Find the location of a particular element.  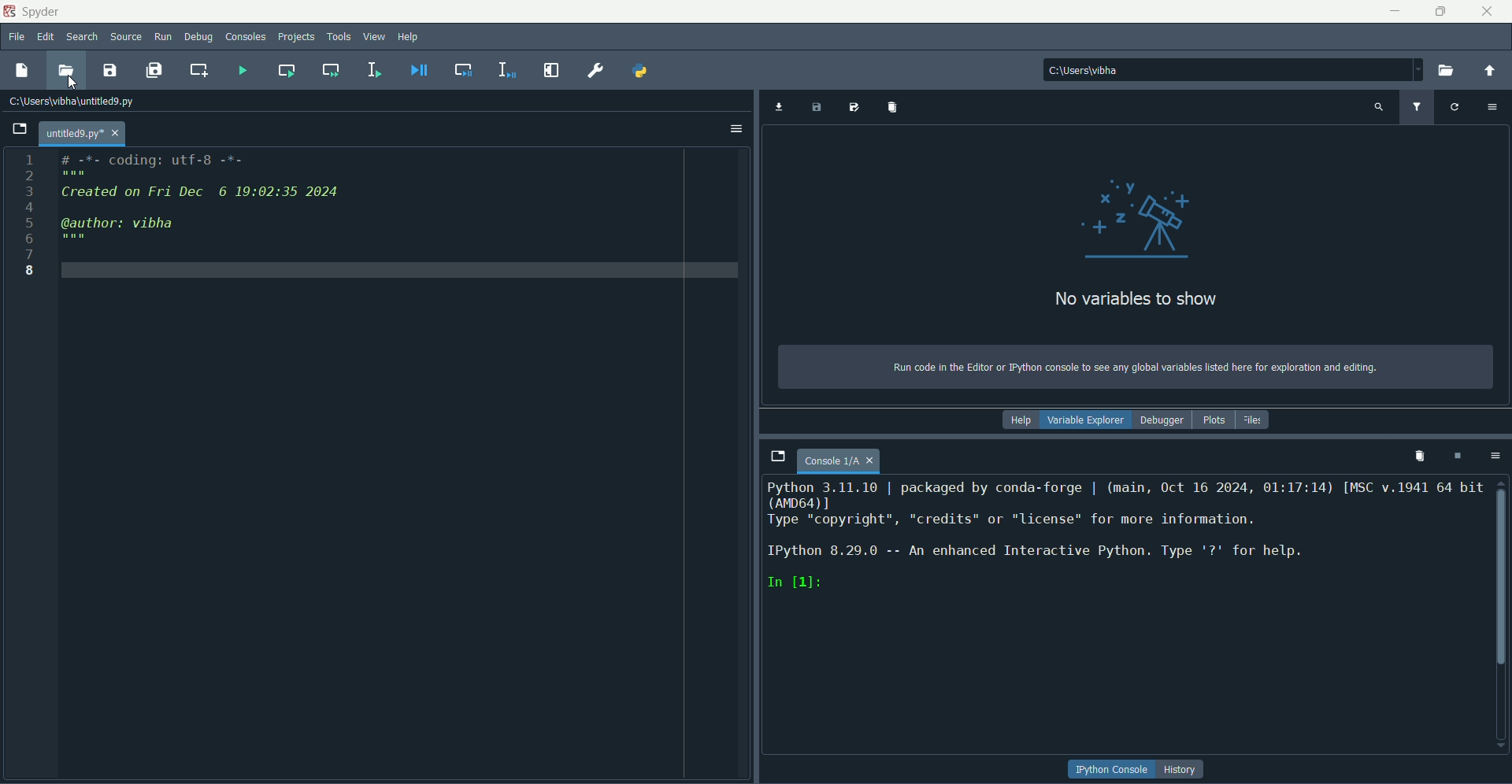

numbers is located at coordinates (31, 214).